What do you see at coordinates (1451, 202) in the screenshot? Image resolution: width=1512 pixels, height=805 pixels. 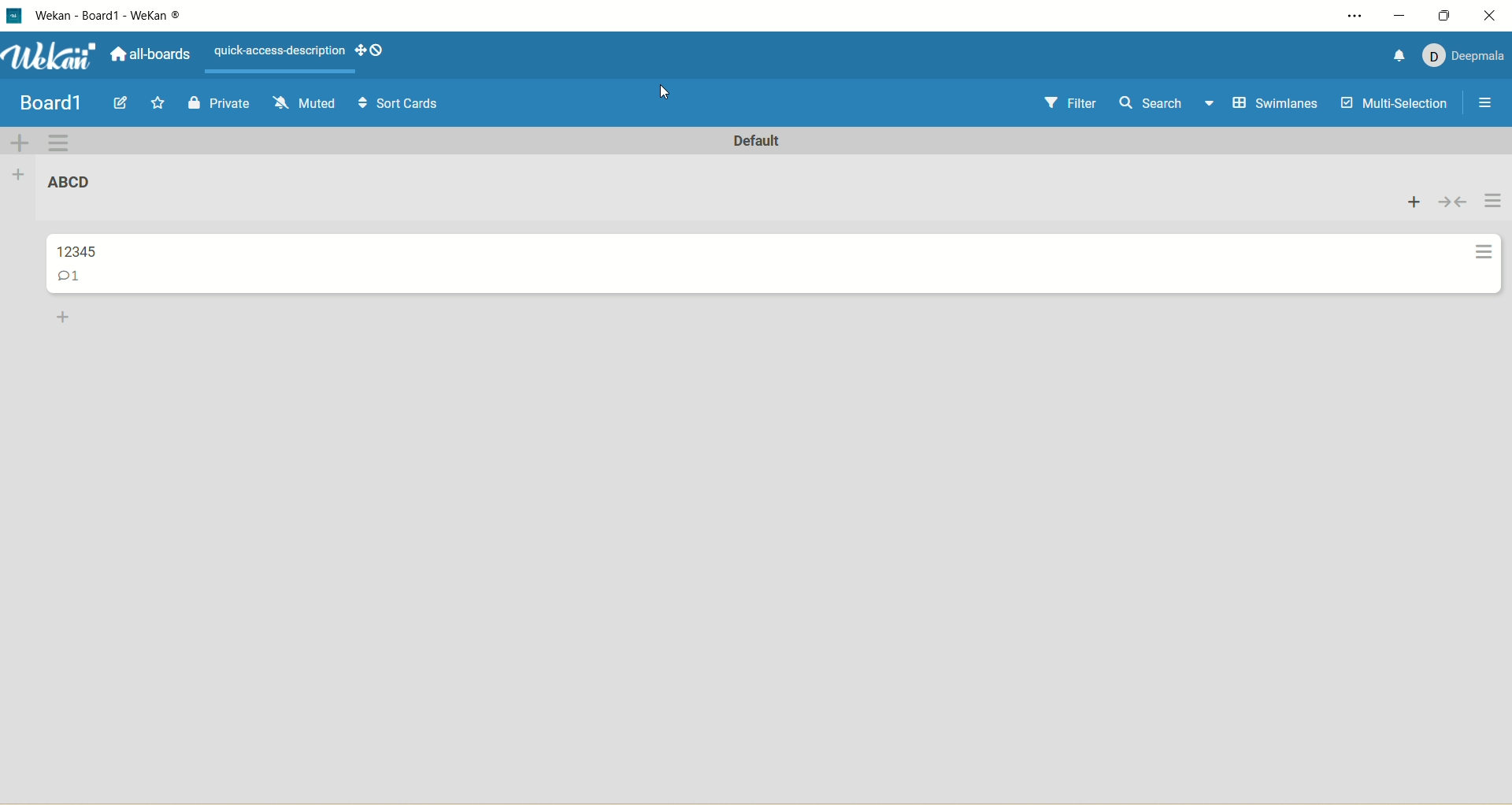 I see `collapse` at bounding box center [1451, 202].